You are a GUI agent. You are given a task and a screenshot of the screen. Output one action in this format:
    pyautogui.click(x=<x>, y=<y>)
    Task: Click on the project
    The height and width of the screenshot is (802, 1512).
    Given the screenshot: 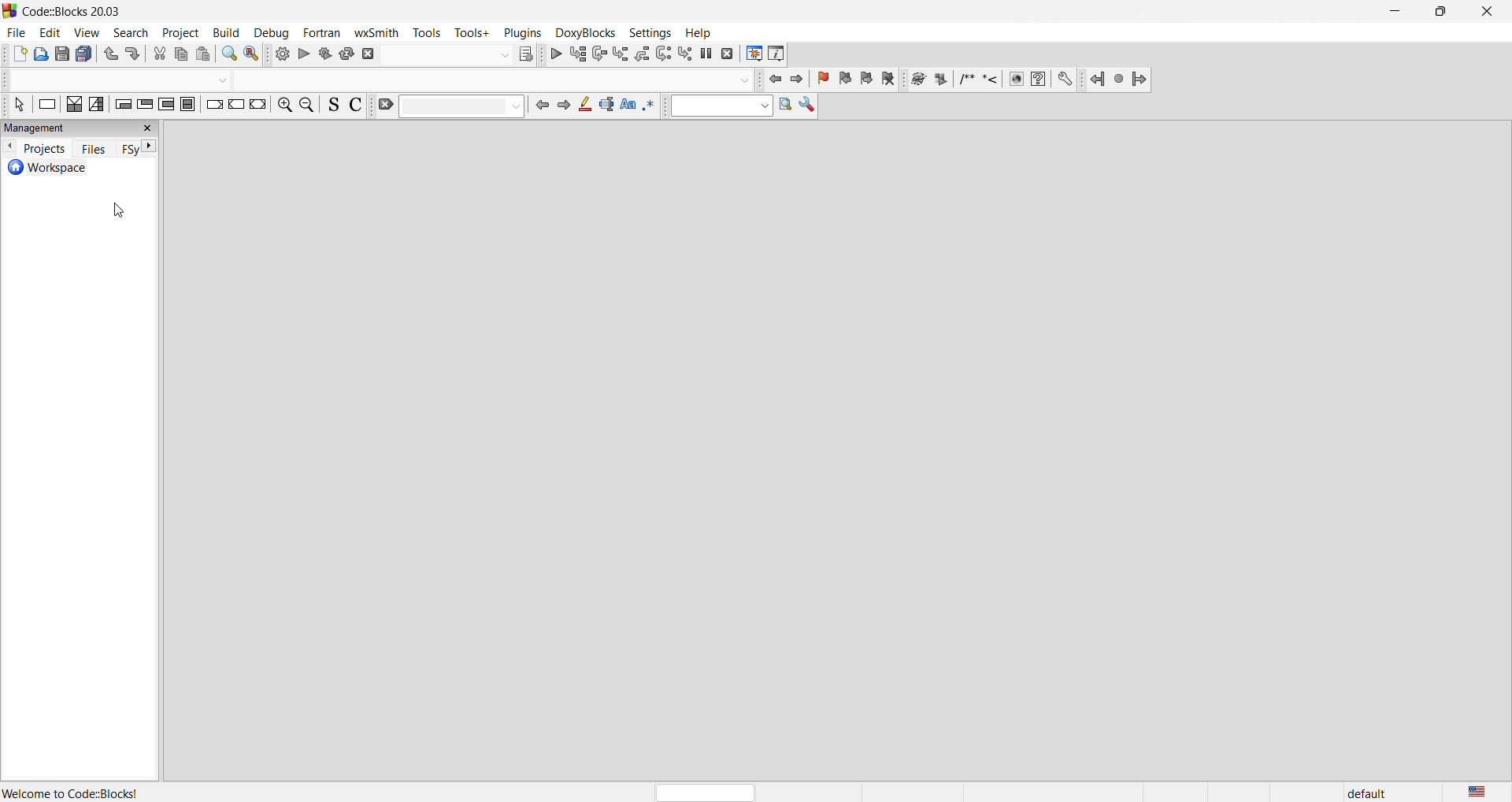 What is the action you would take?
    pyautogui.click(x=181, y=33)
    